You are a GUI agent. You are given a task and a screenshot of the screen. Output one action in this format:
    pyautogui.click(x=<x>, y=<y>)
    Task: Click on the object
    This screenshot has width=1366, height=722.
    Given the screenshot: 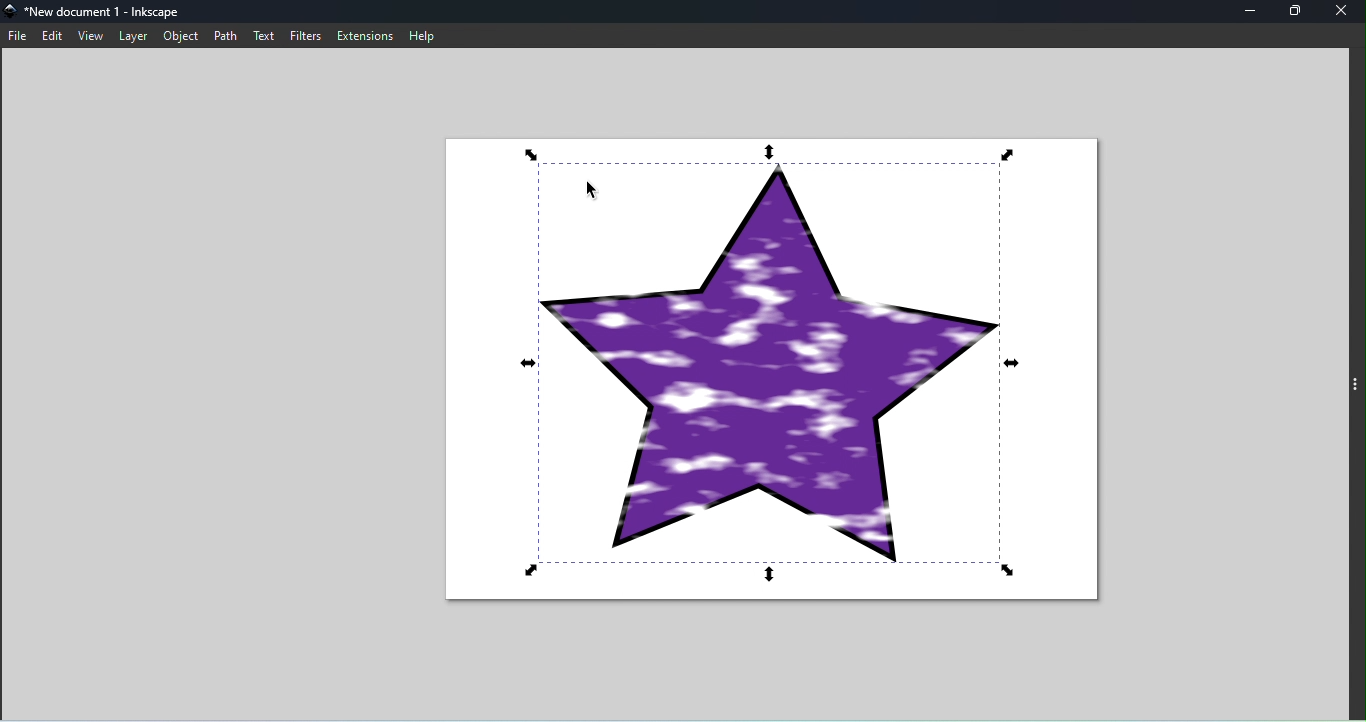 What is the action you would take?
    pyautogui.click(x=184, y=36)
    